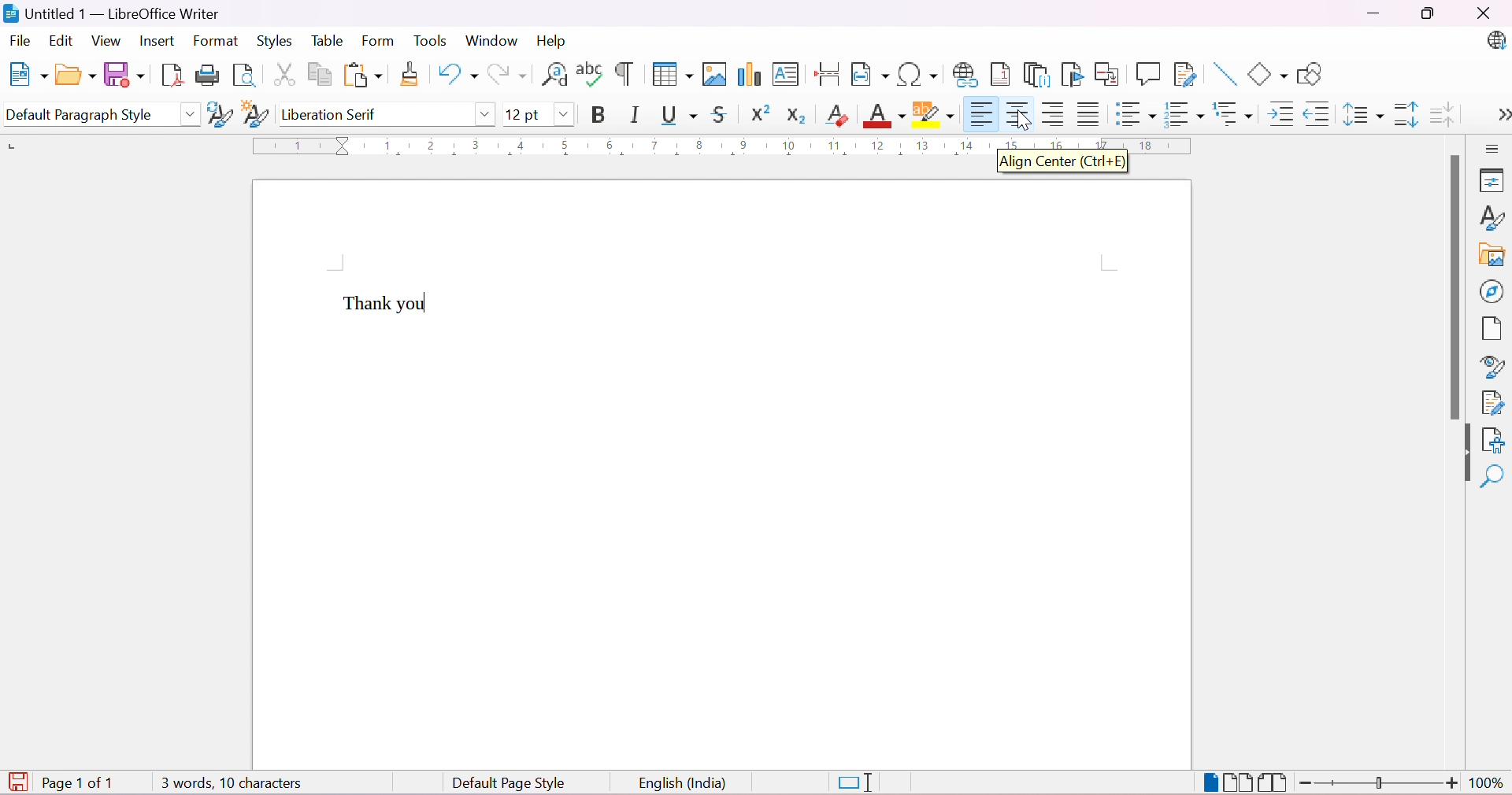 The width and height of the screenshot is (1512, 795). Describe the element at coordinates (1317, 113) in the screenshot. I see `Decrease Indent` at that location.